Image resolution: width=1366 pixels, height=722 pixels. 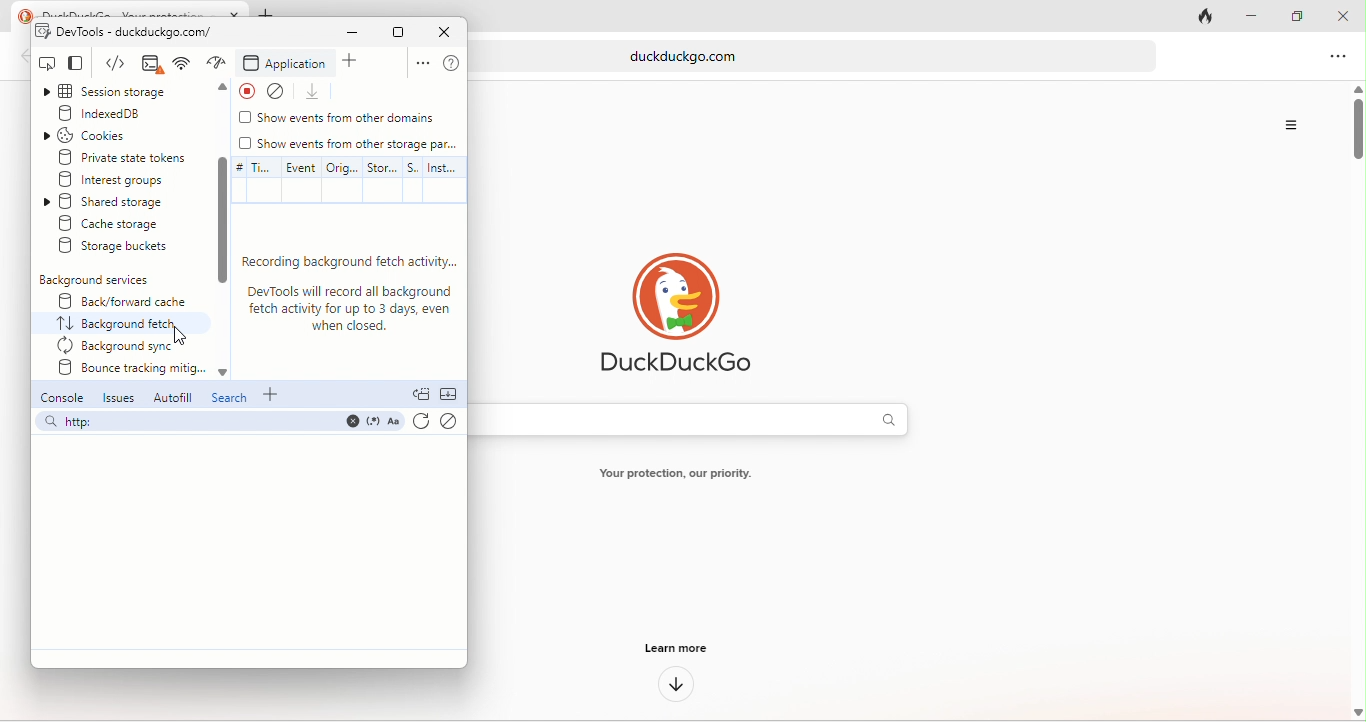 I want to click on indexed, so click(x=122, y=114).